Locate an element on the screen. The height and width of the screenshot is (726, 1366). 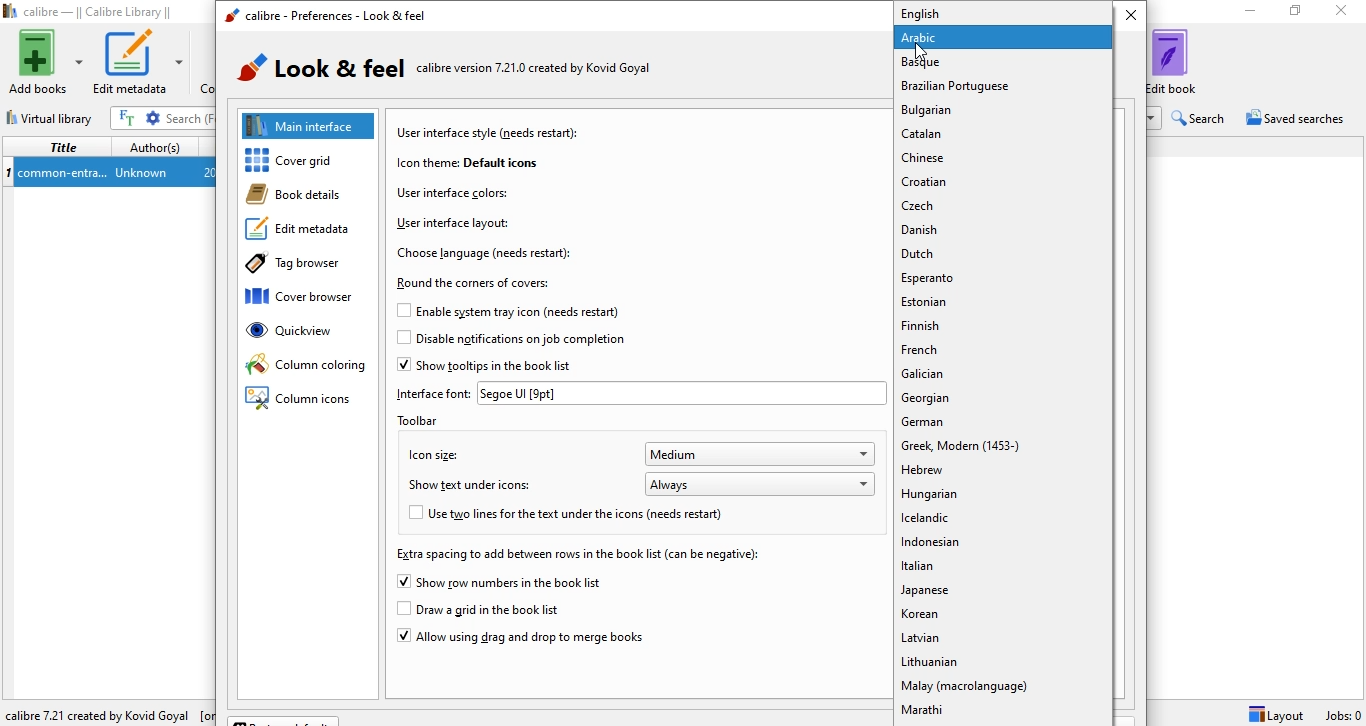
enable system tray icon (needs restart) is located at coordinates (489, 311).